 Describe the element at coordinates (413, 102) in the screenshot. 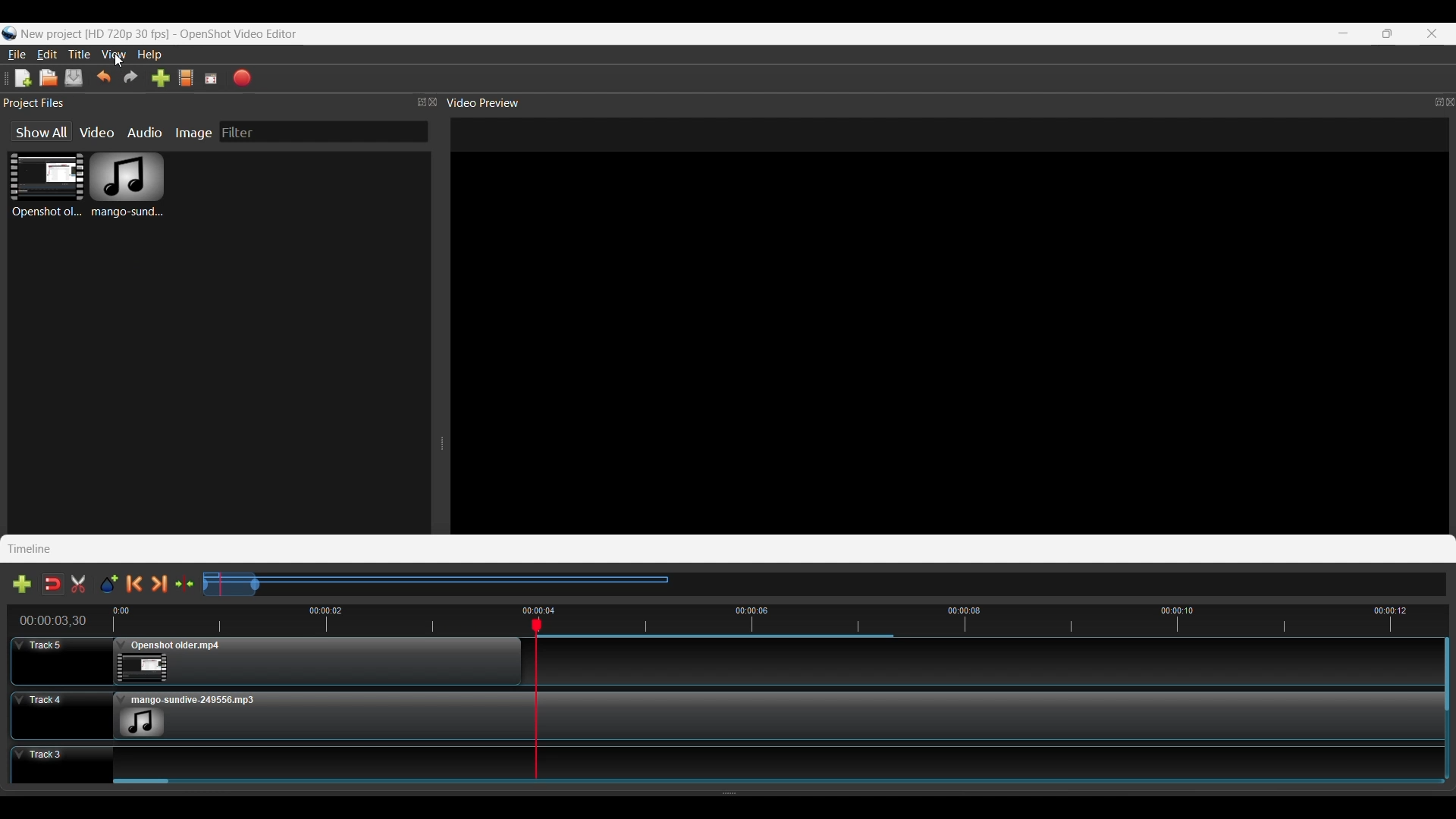

I see `Maximize` at that location.